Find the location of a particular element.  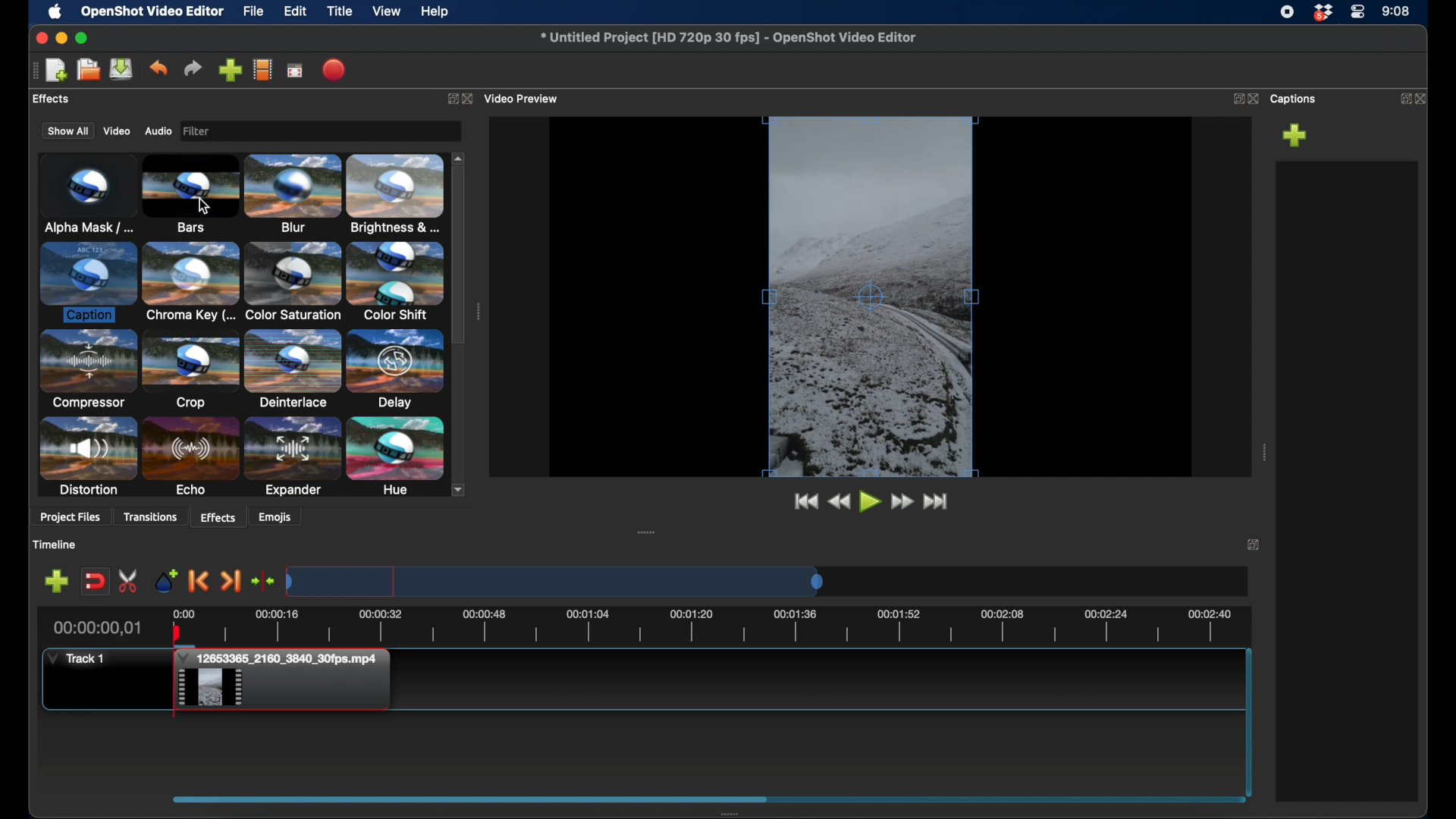

emojis is located at coordinates (276, 518).